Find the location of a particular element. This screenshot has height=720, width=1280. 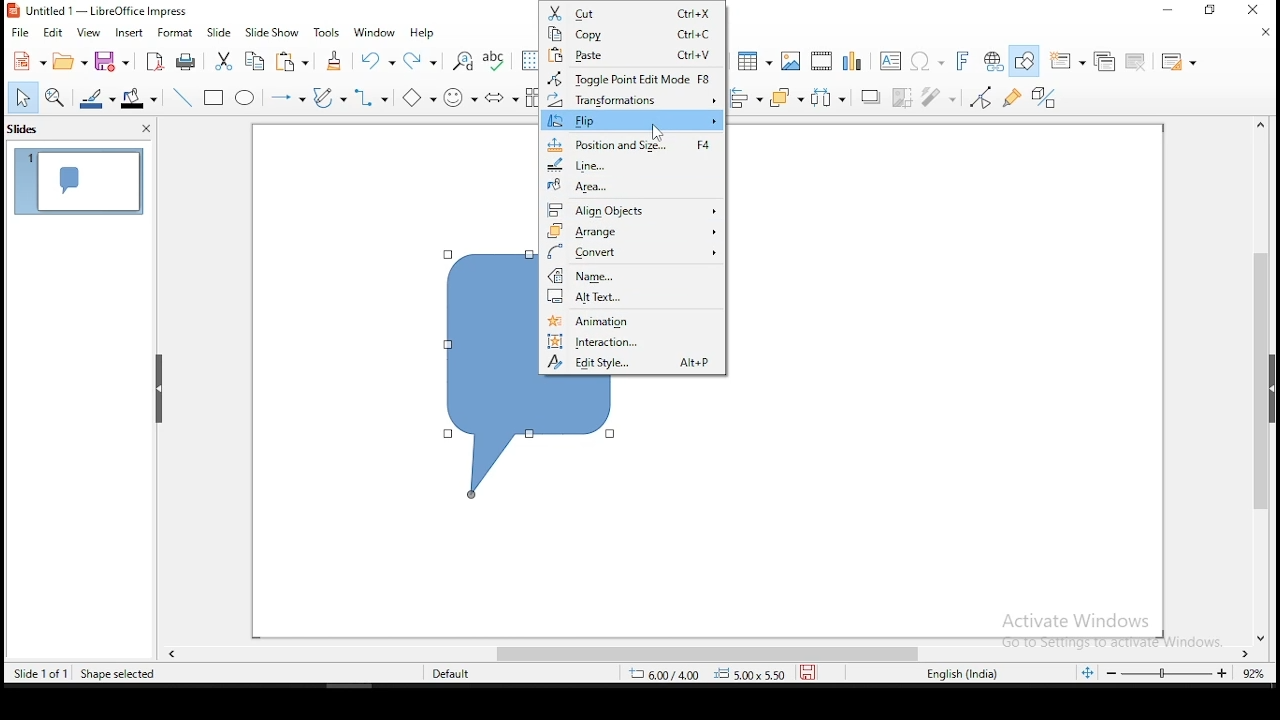

redo is located at coordinates (425, 61).